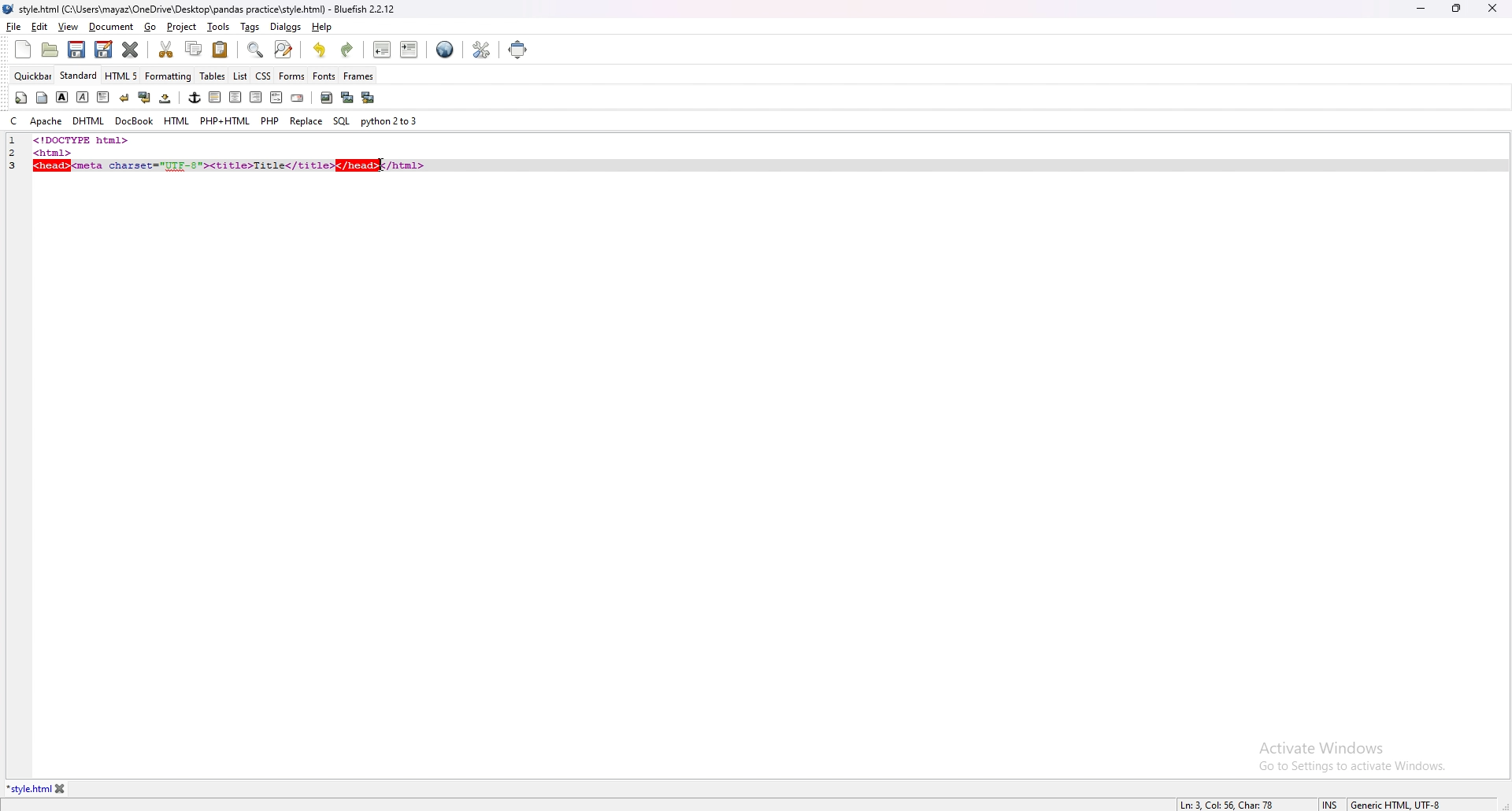  What do you see at coordinates (1395, 803) in the screenshot?
I see `encoding` at bounding box center [1395, 803].